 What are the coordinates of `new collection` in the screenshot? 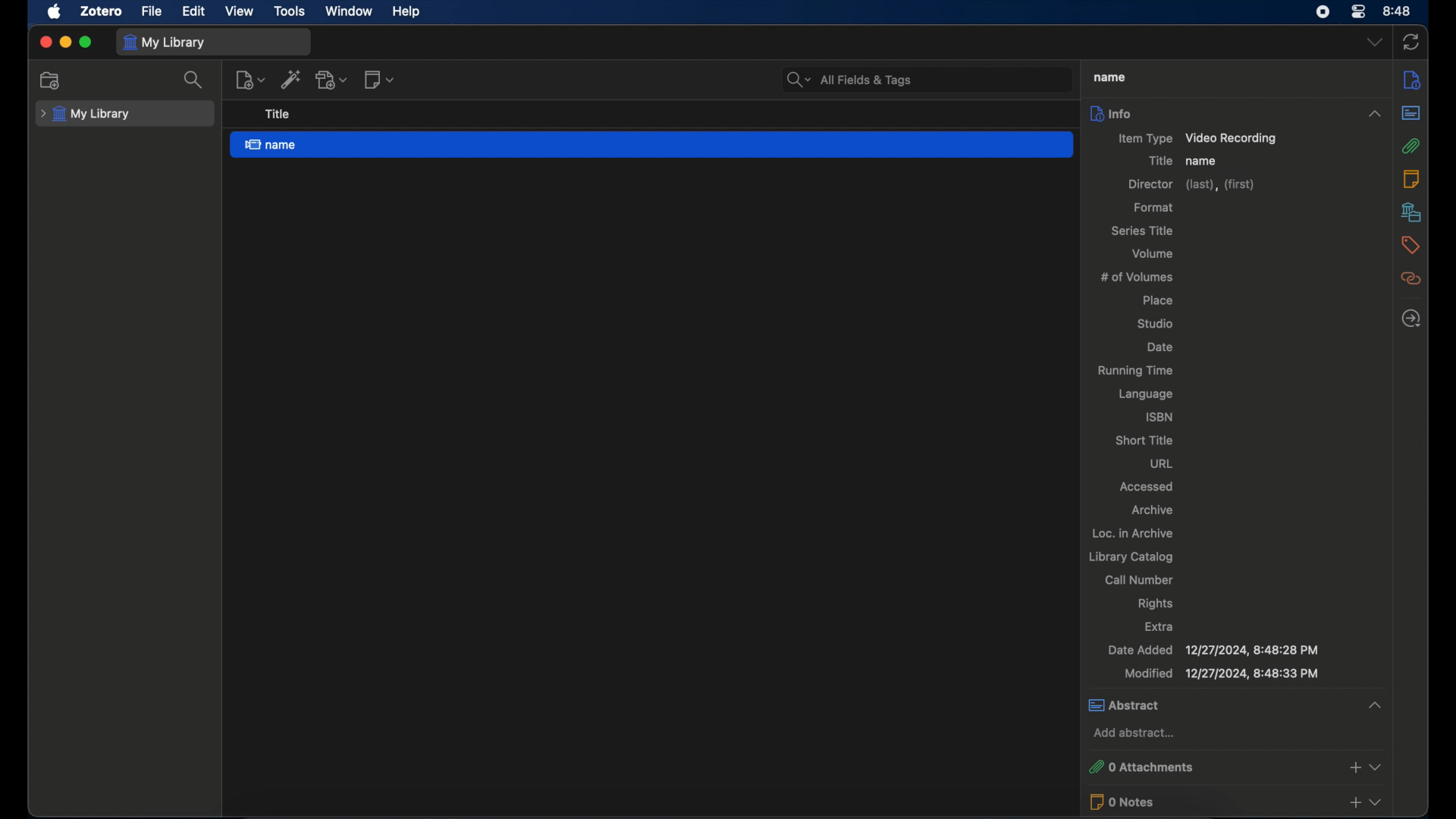 It's located at (52, 81).